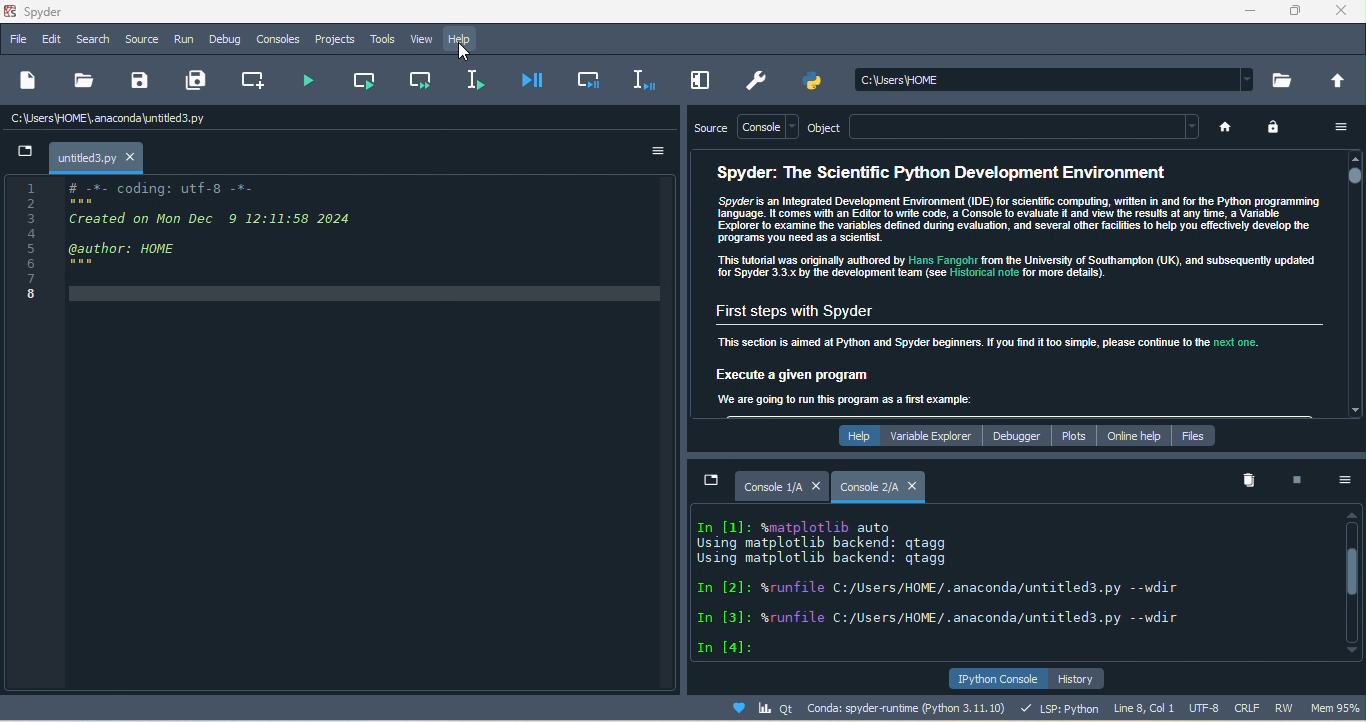 Image resolution: width=1366 pixels, height=722 pixels. Describe the element at coordinates (1345, 483) in the screenshot. I see `option` at that location.